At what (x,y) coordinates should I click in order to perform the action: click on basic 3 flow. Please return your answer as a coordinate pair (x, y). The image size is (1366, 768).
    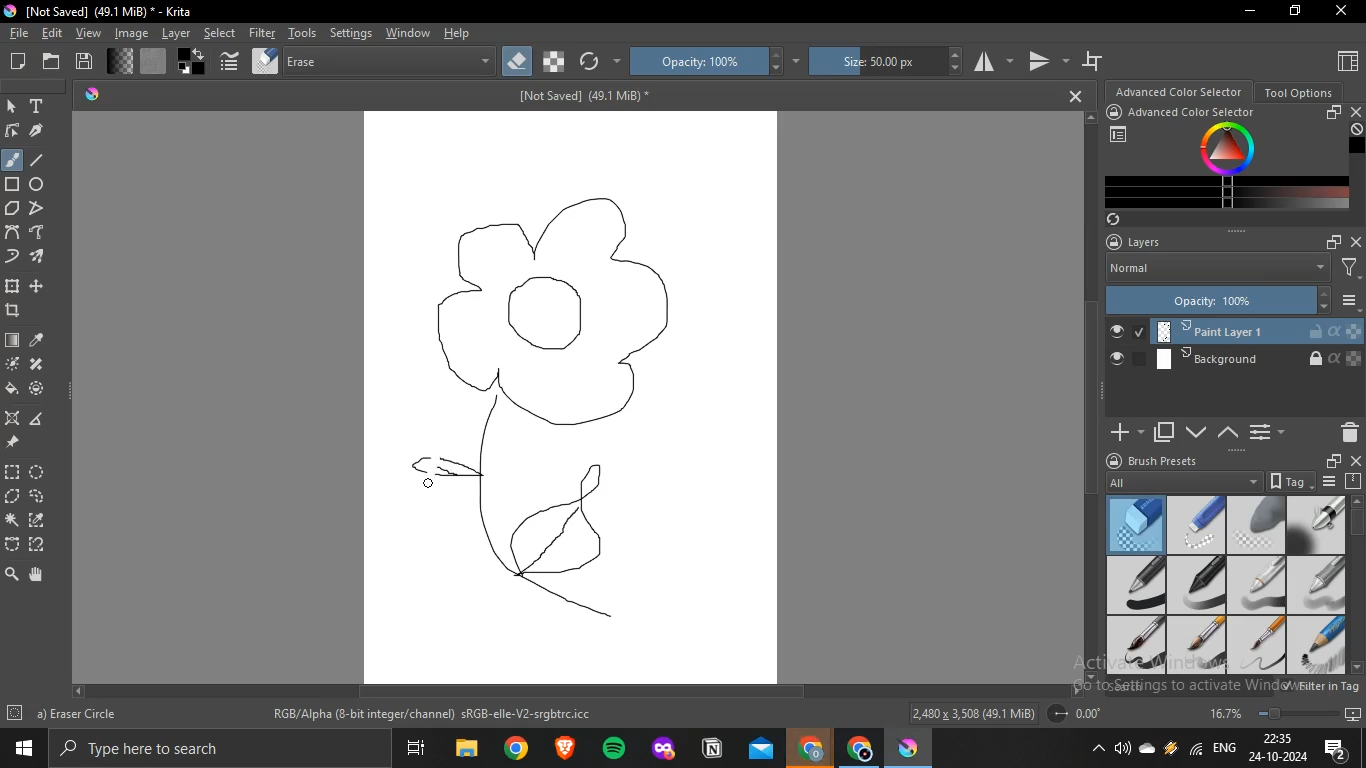
    Looking at the image, I should click on (1257, 584).